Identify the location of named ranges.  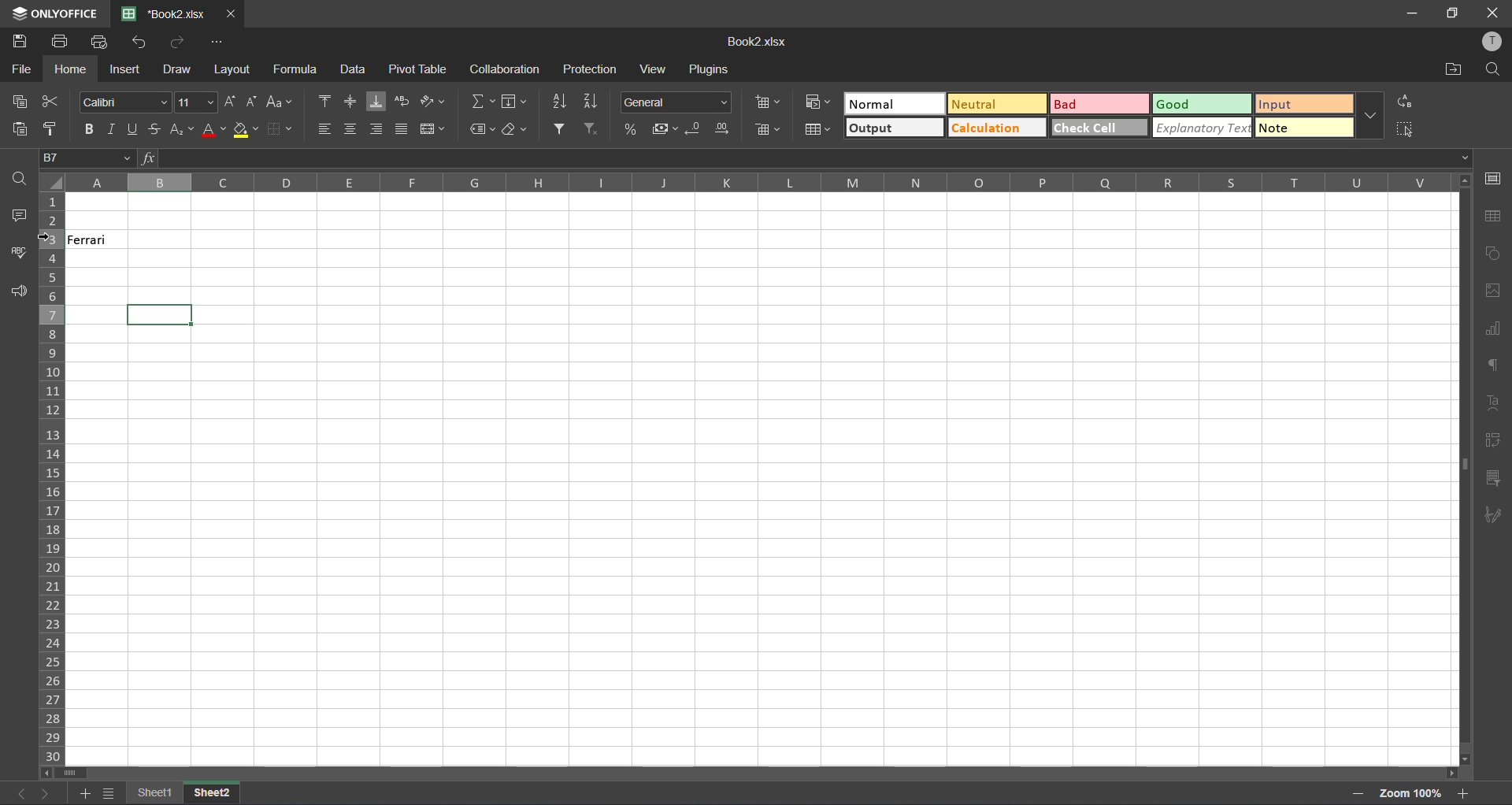
(480, 131).